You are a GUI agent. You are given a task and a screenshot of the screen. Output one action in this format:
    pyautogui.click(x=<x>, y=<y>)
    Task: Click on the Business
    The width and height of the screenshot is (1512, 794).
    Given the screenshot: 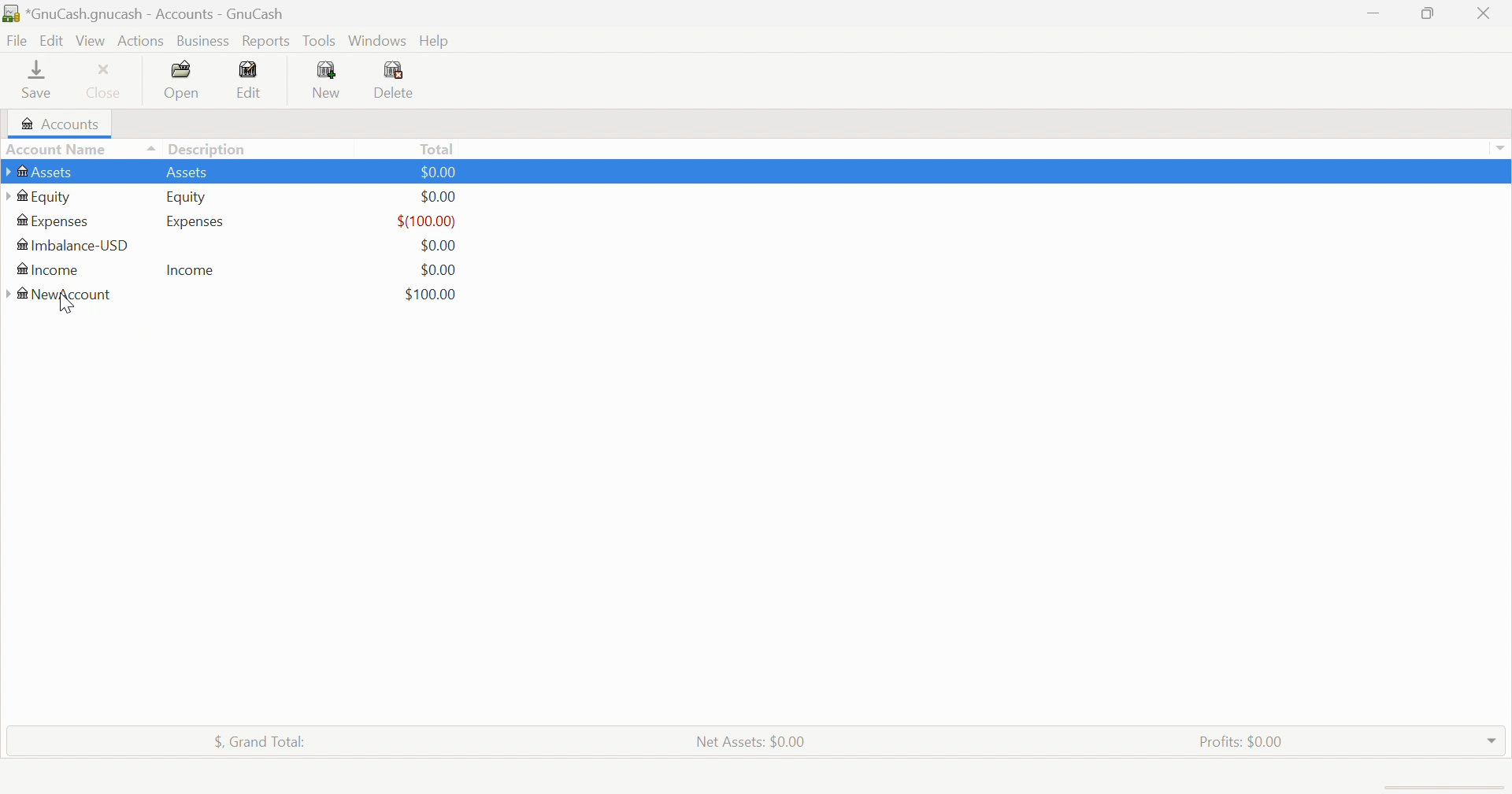 What is the action you would take?
    pyautogui.click(x=204, y=42)
    